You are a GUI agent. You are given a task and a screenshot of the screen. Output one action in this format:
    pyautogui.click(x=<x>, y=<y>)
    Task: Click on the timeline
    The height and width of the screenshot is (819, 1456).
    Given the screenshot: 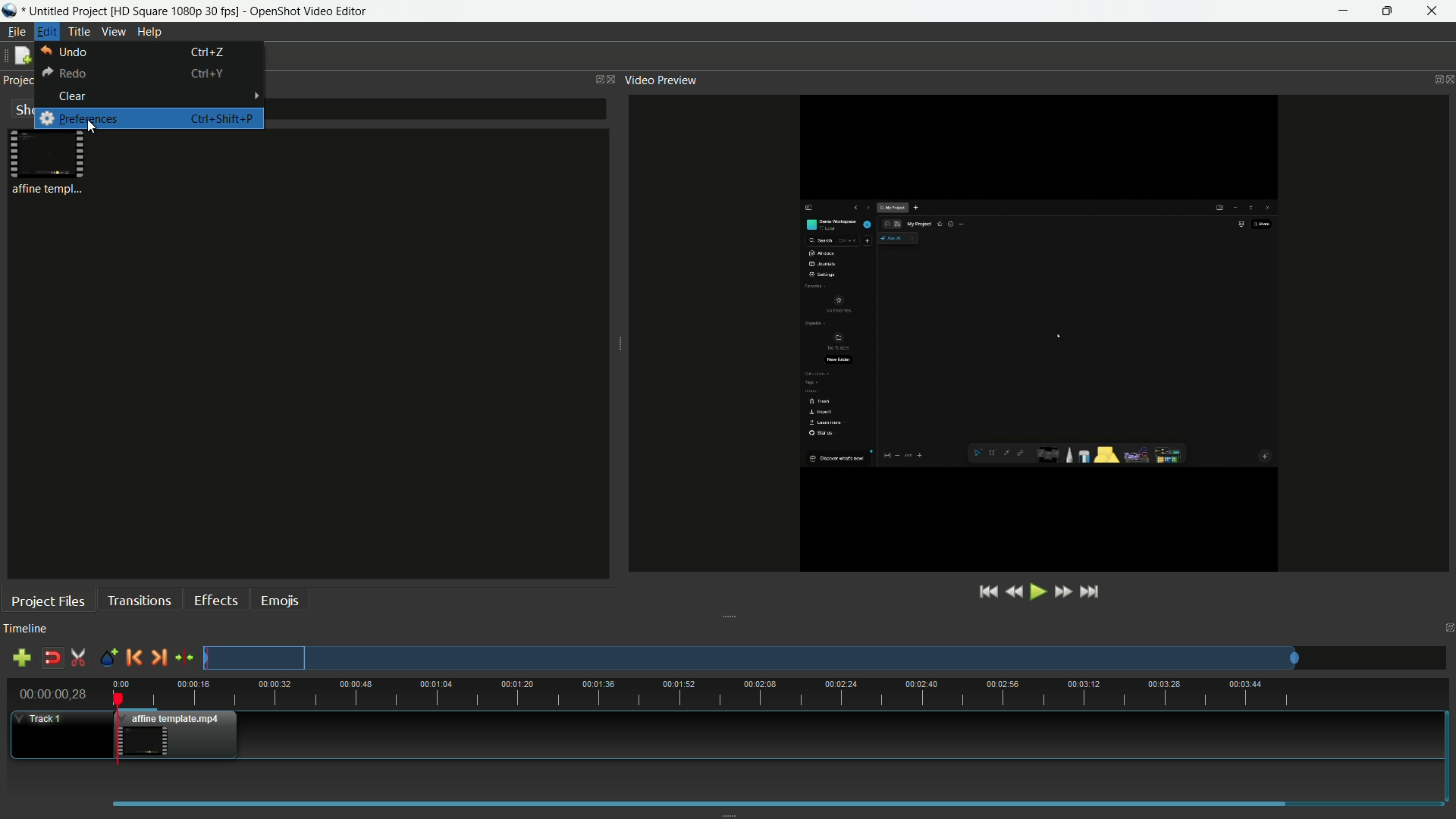 What is the action you would take?
    pyautogui.click(x=26, y=629)
    